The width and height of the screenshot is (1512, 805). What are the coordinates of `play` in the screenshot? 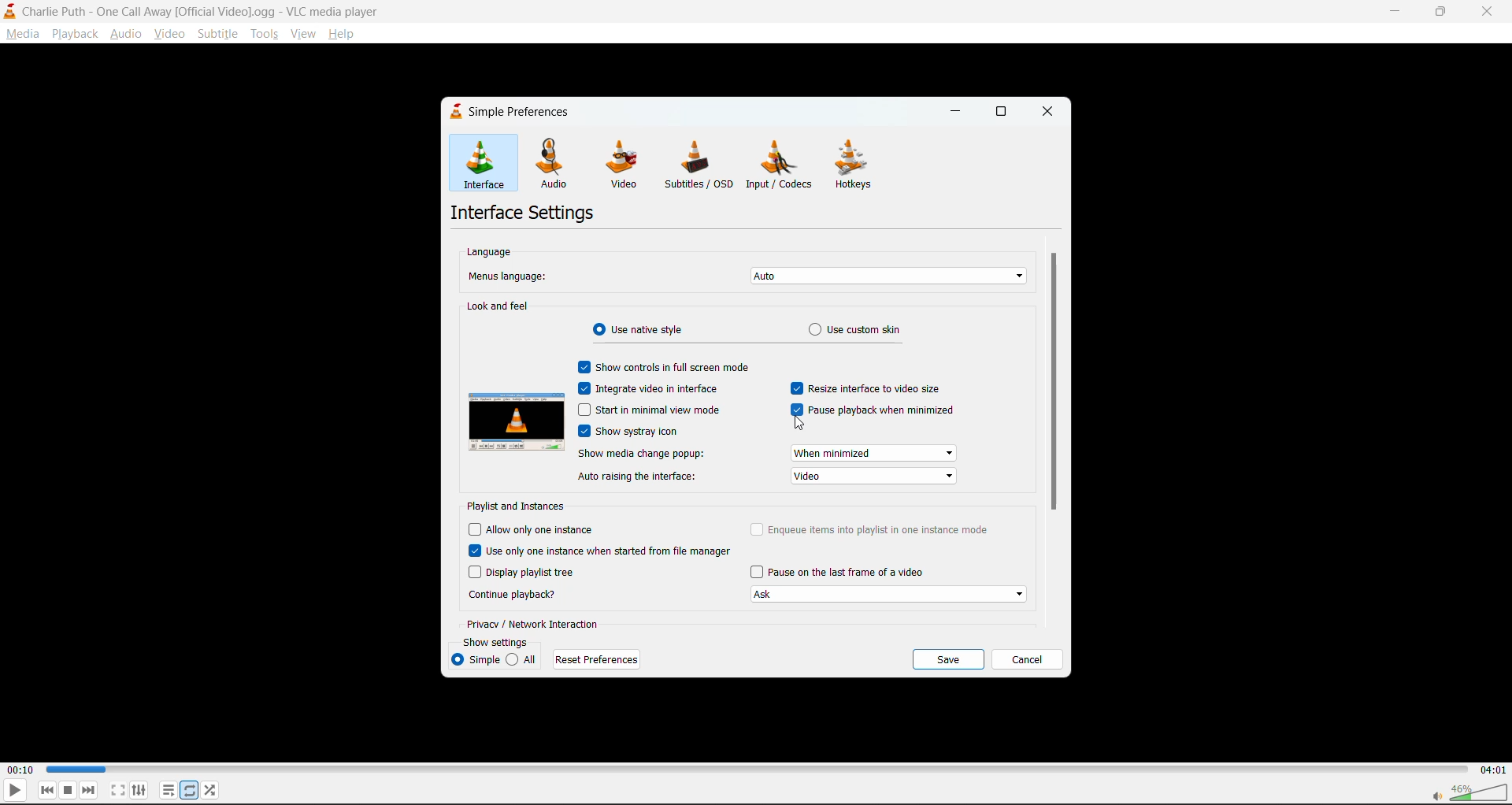 It's located at (15, 792).